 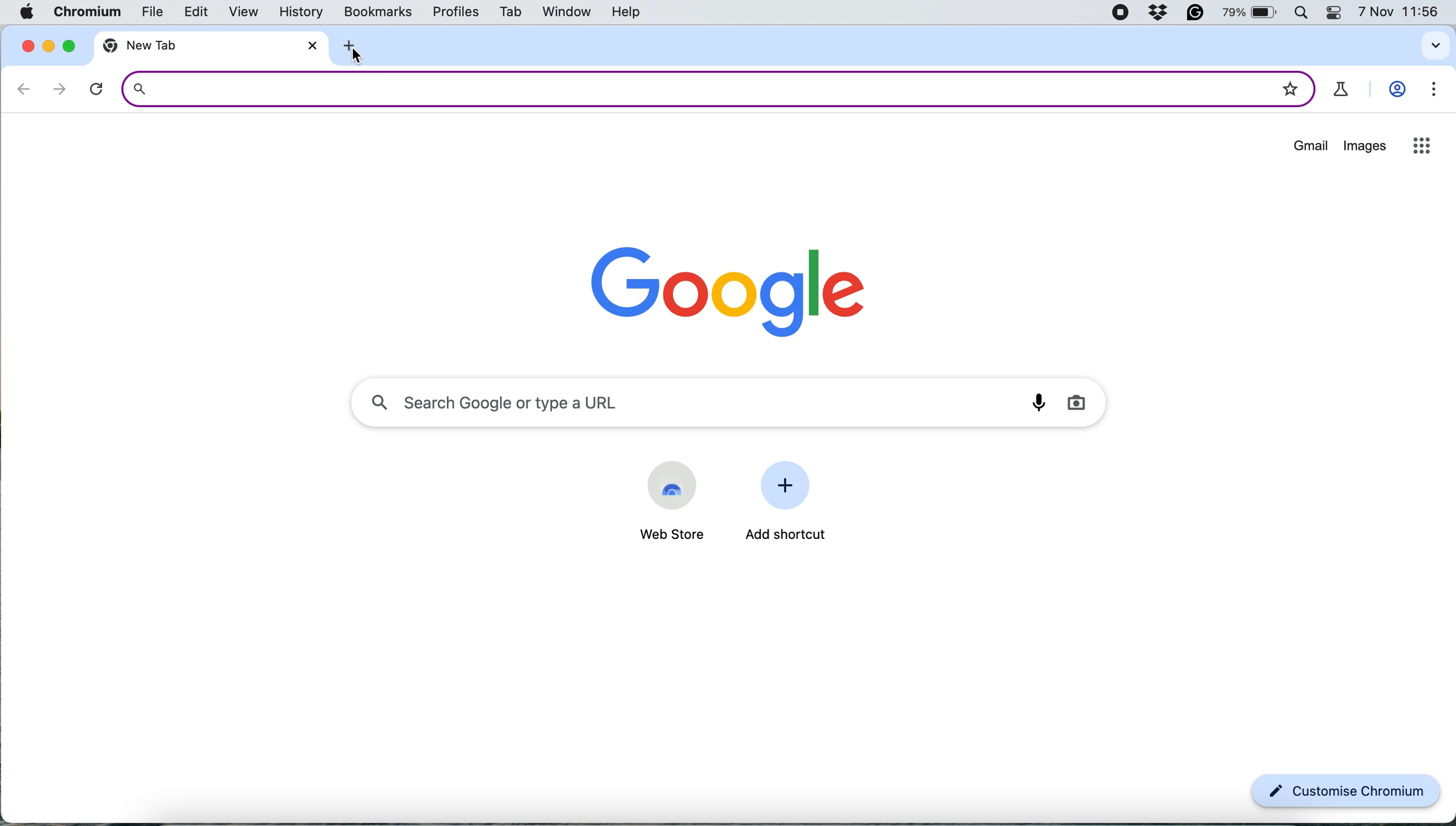 What do you see at coordinates (717, 286) in the screenshot?
I see `google` at bounding box center [717, 286].